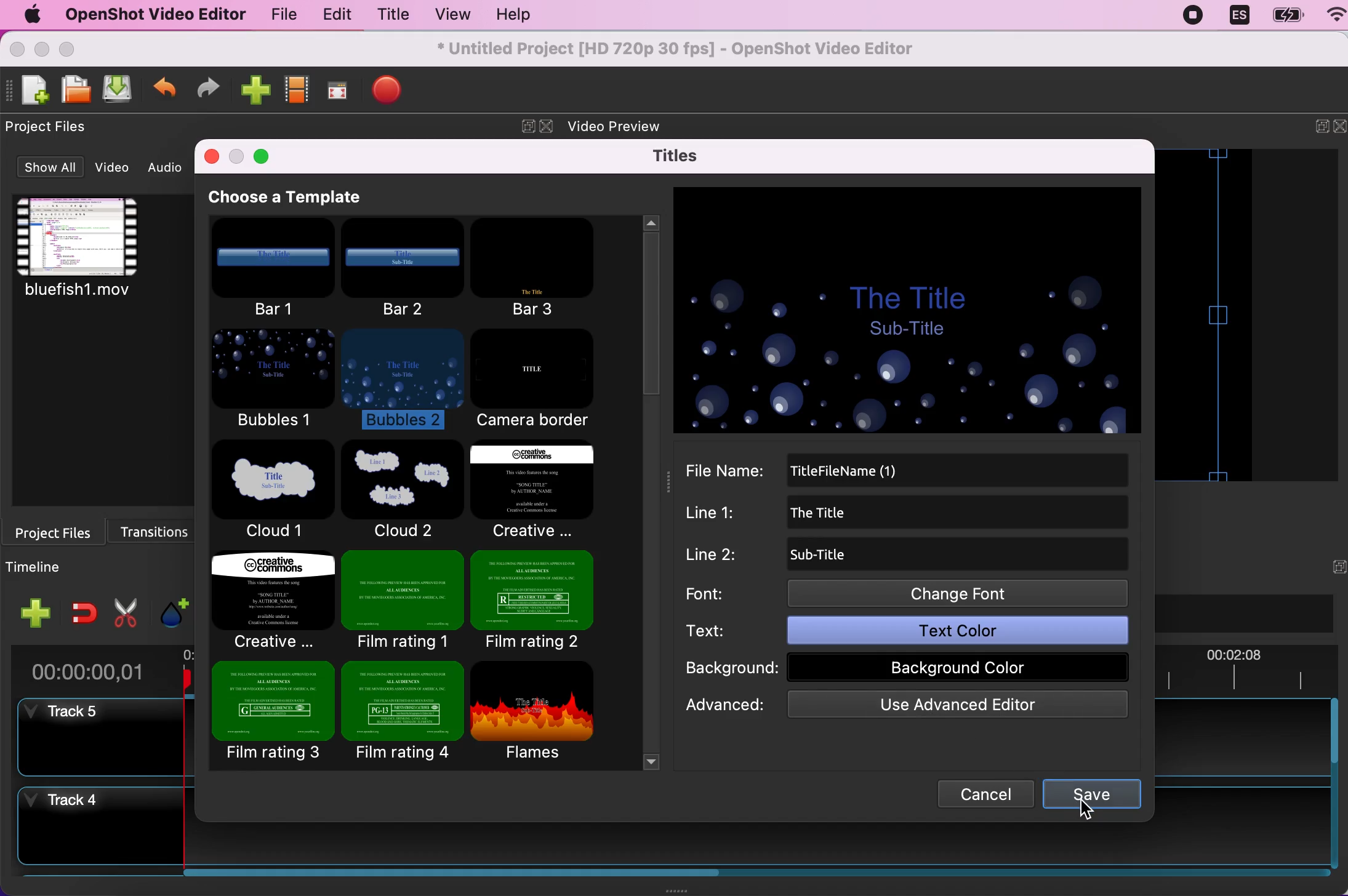 Image resolution: width=1348 pixels, height=896 pixels. I want to click on minimize, so click(41, 50).